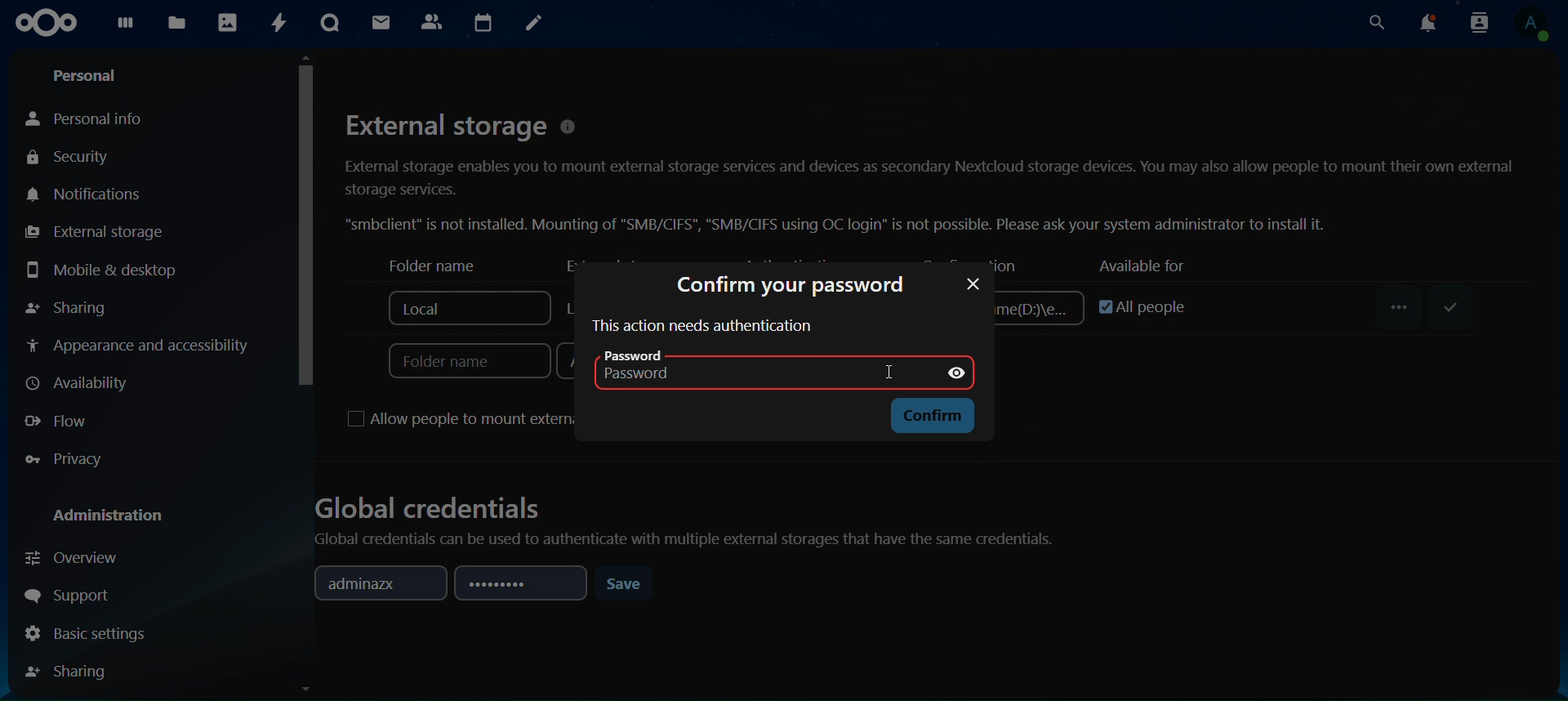 The image size is (1568, 701). Describe the element at coordinates (46, 21) in the screenshot. I see `icon` at that location.